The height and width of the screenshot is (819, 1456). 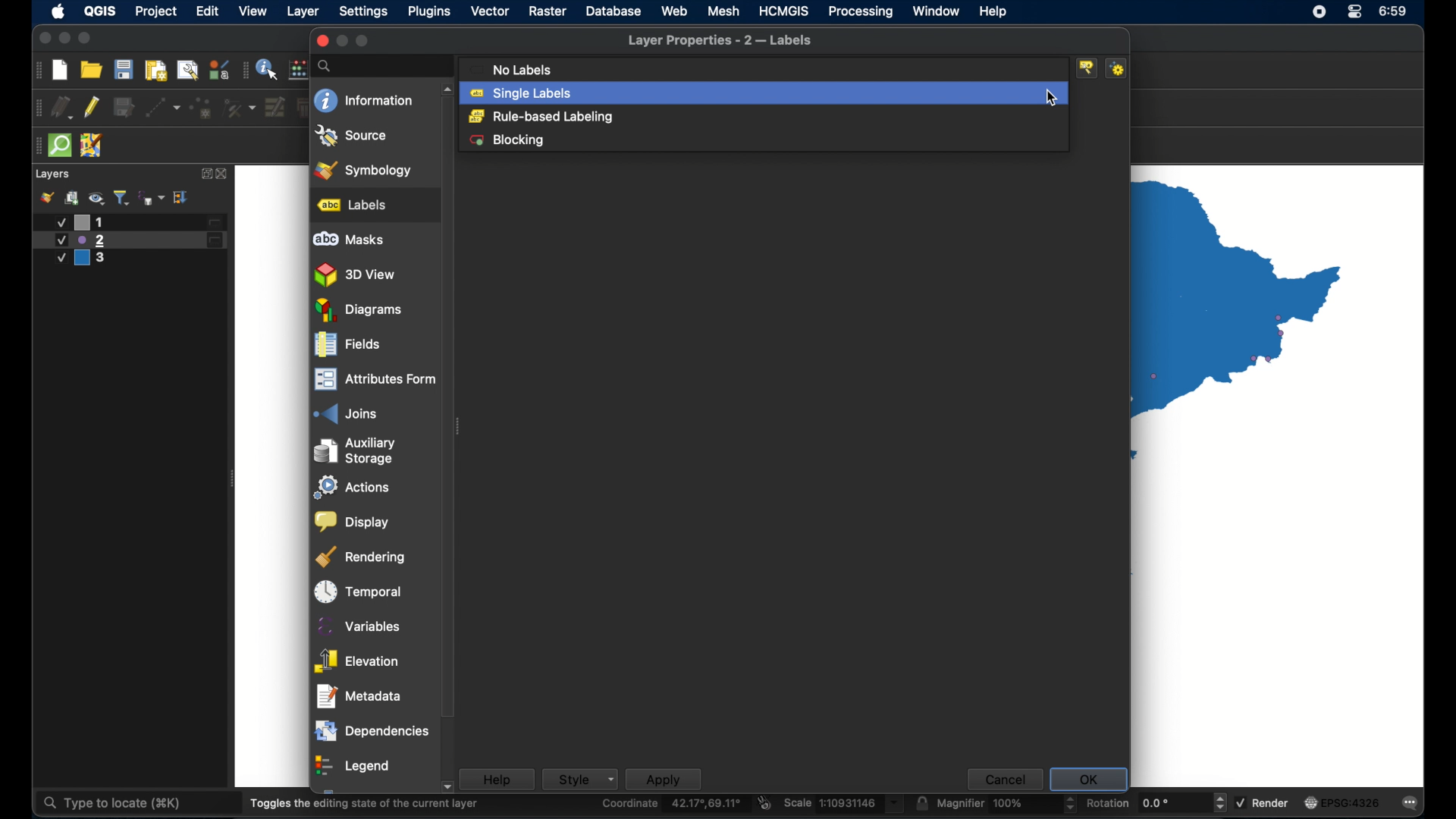 What do you see at coordinates (613, 11) in the screenshot?
I see `database` at bounding box center [613, 11].